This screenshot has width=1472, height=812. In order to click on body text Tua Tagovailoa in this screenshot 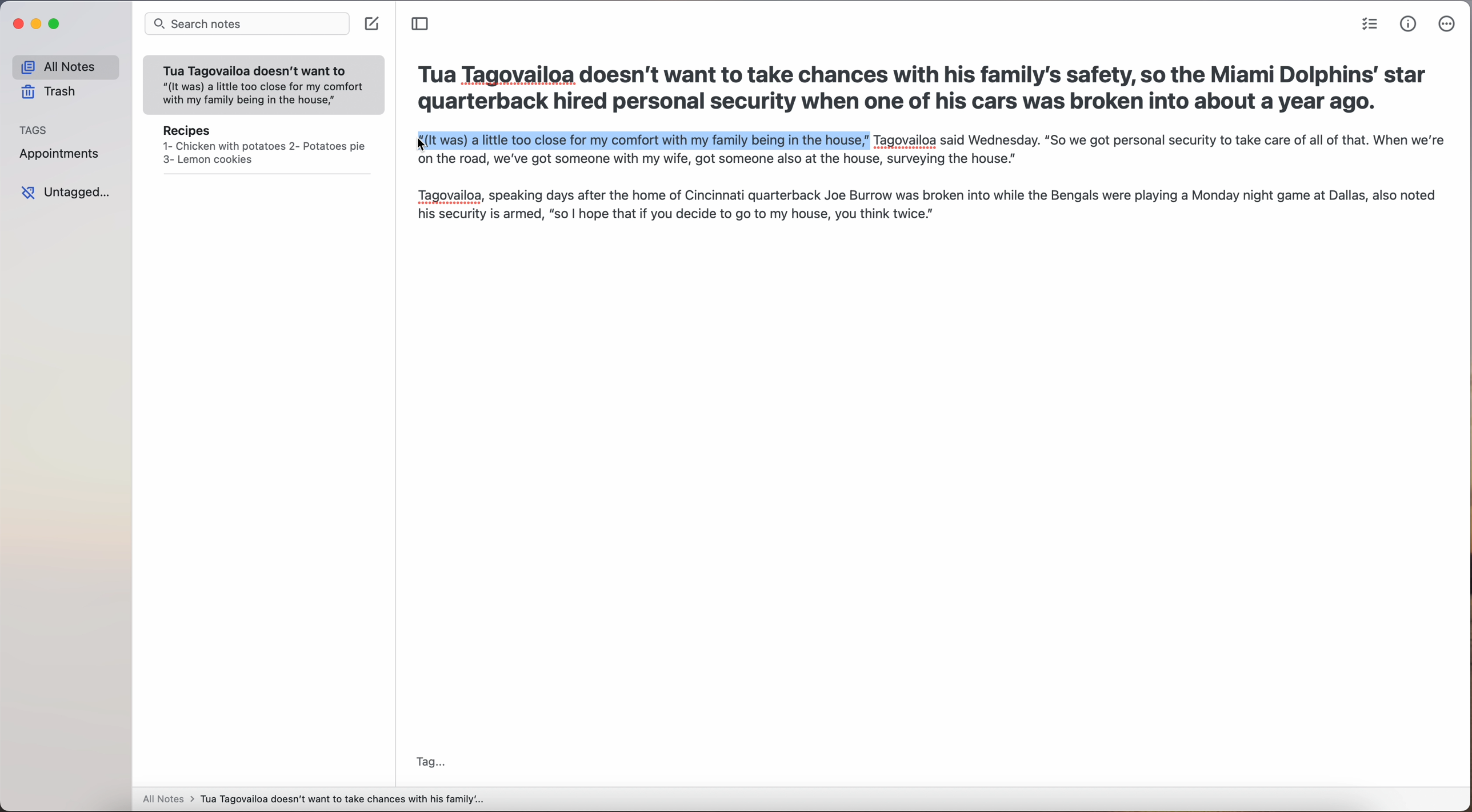, I will do `click(927, 193)`.